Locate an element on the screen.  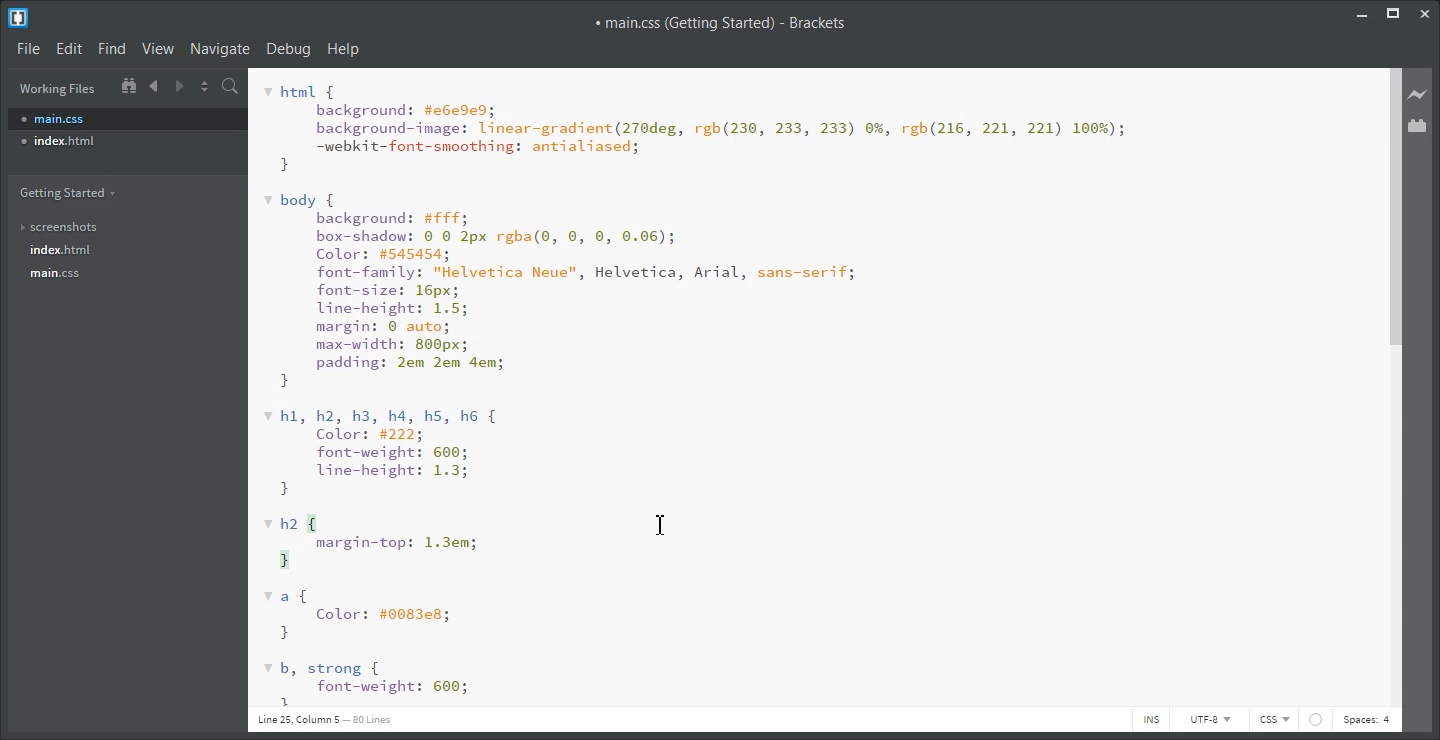
index.html is located at coordinates (69, 250).